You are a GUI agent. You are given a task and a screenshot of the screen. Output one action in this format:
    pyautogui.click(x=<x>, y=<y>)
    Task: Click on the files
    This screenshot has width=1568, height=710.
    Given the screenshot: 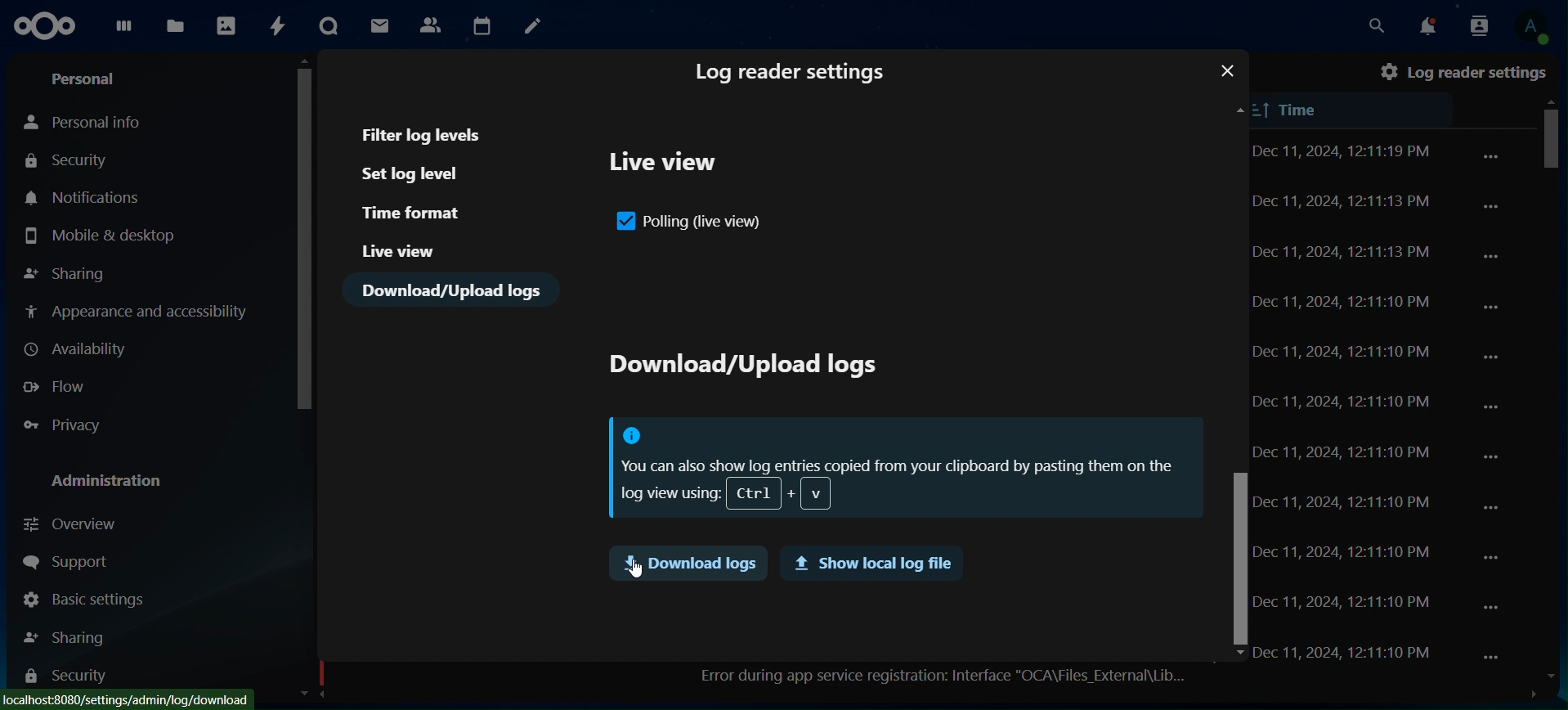 What is the action you would take?
    pyautogui.click(x=174, y=26)
    